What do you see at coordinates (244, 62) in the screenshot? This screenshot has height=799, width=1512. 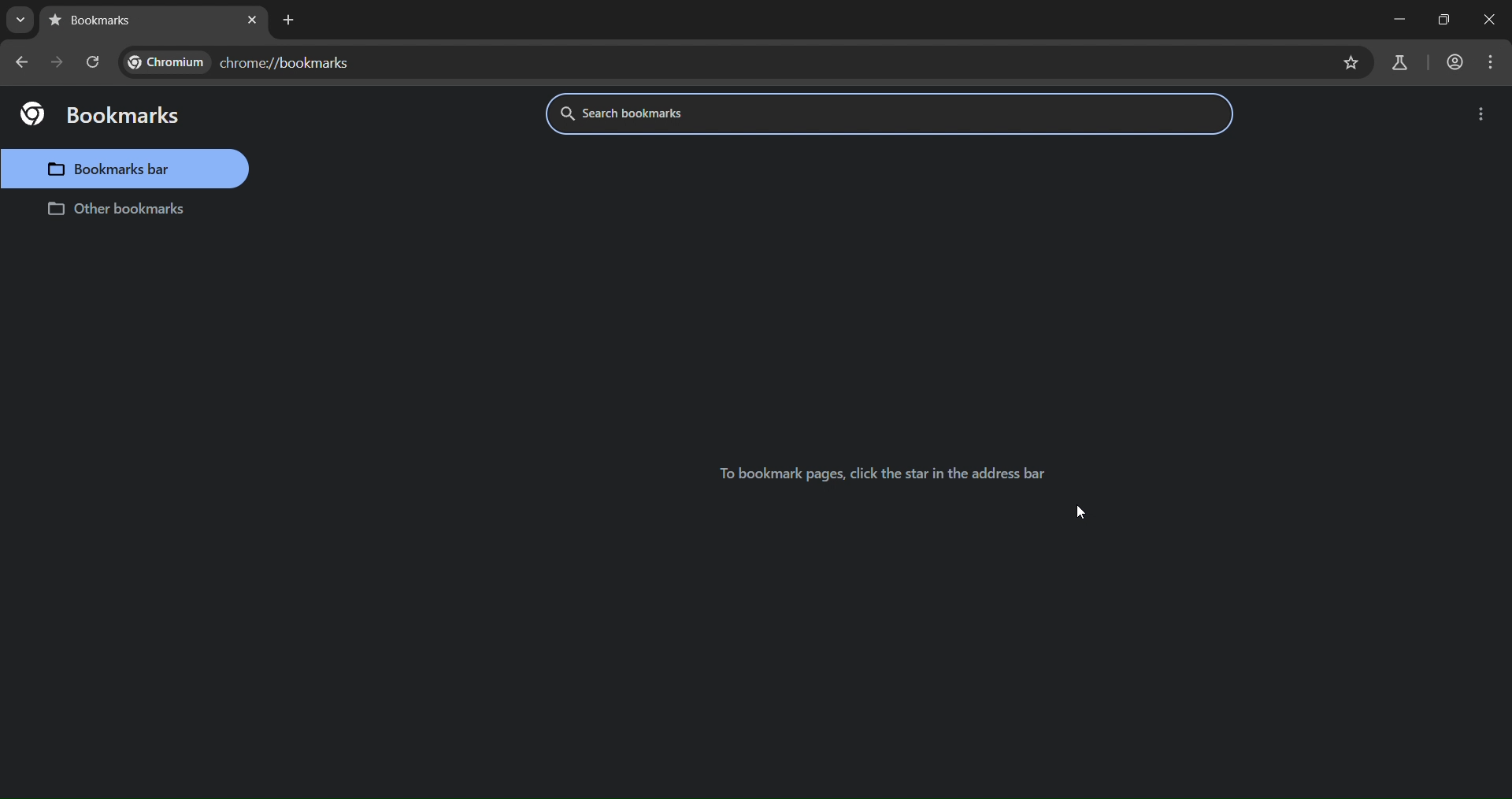 I see `chrome://bookmarks` at bounding box center [244, 62].